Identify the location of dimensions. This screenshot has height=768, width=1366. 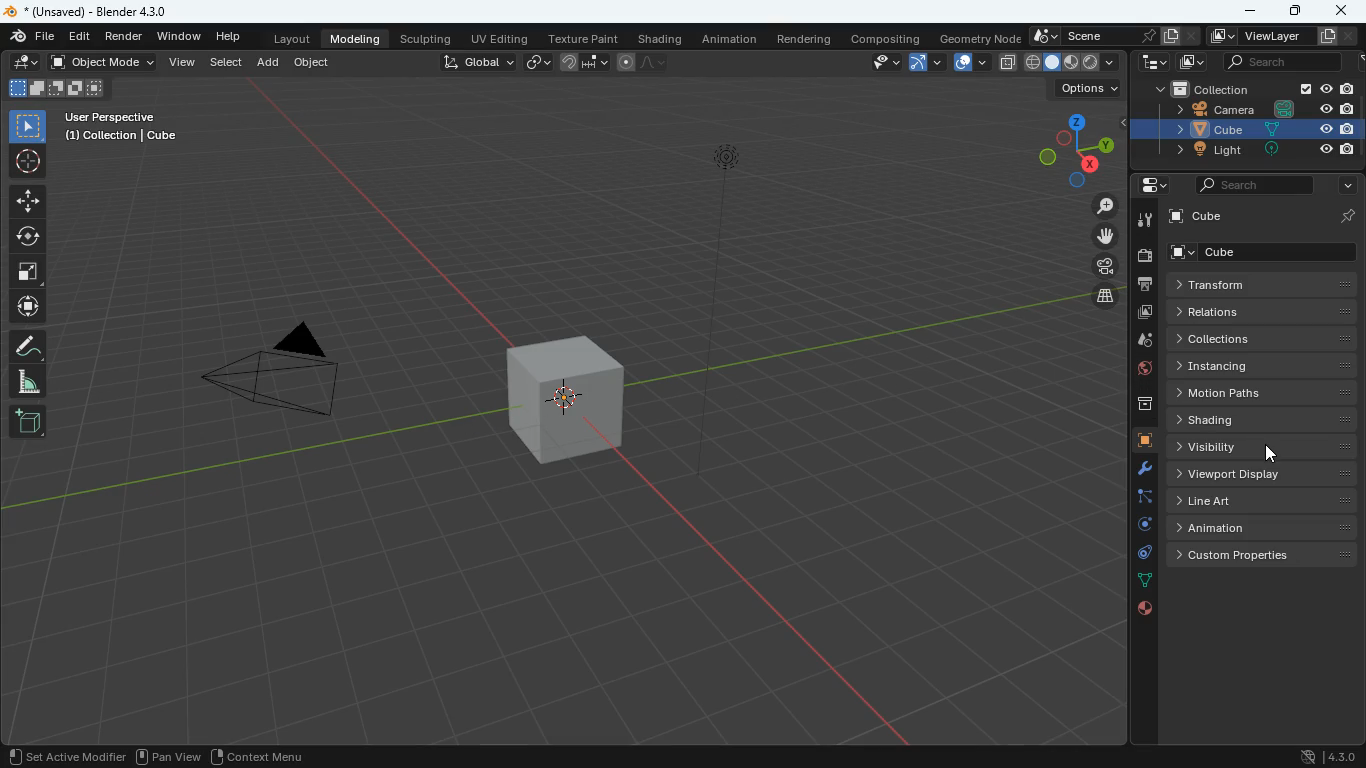
(1072, 148).